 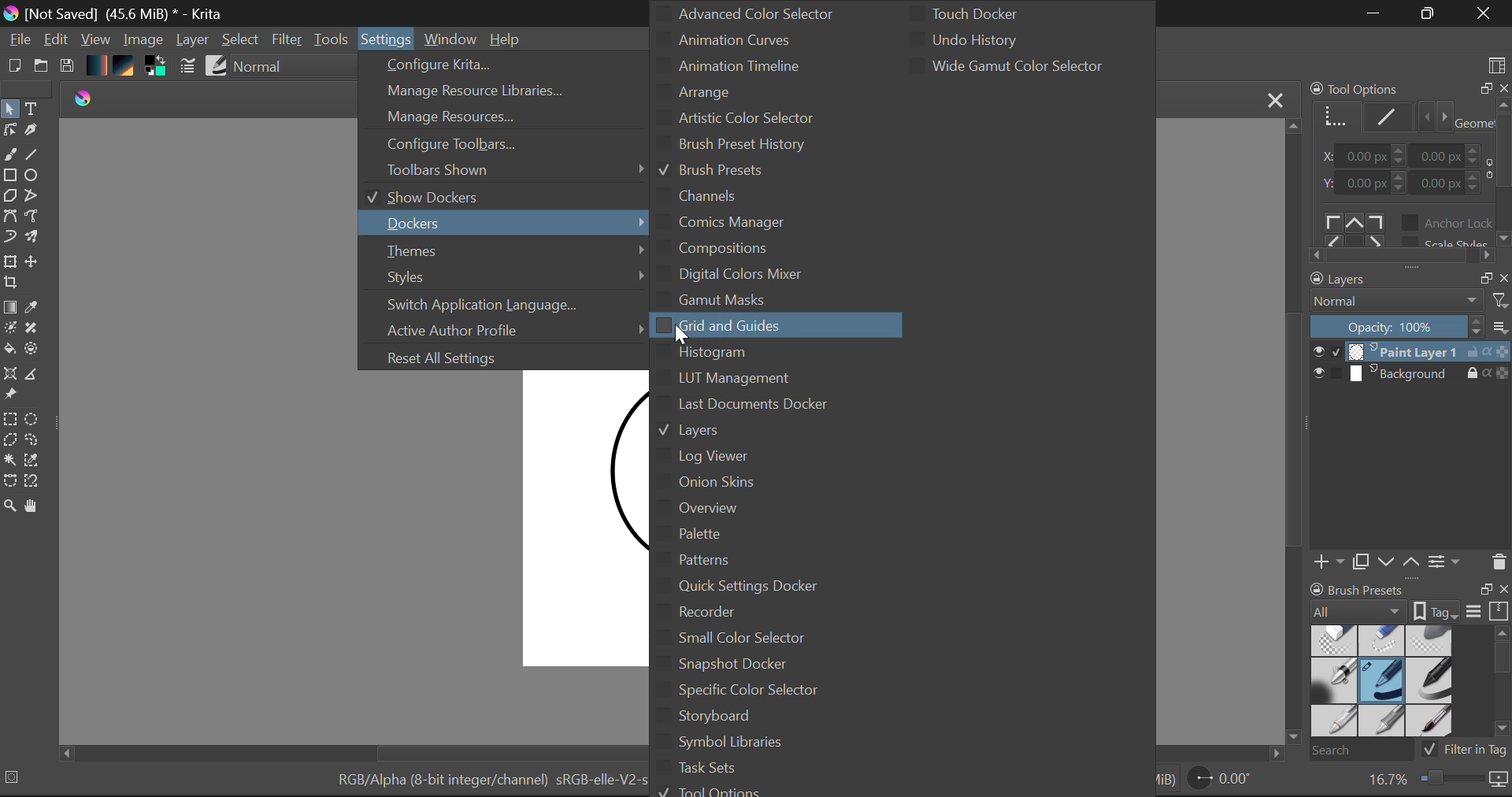 I want to click on Page Rotation, so click(x=1225, y=781).